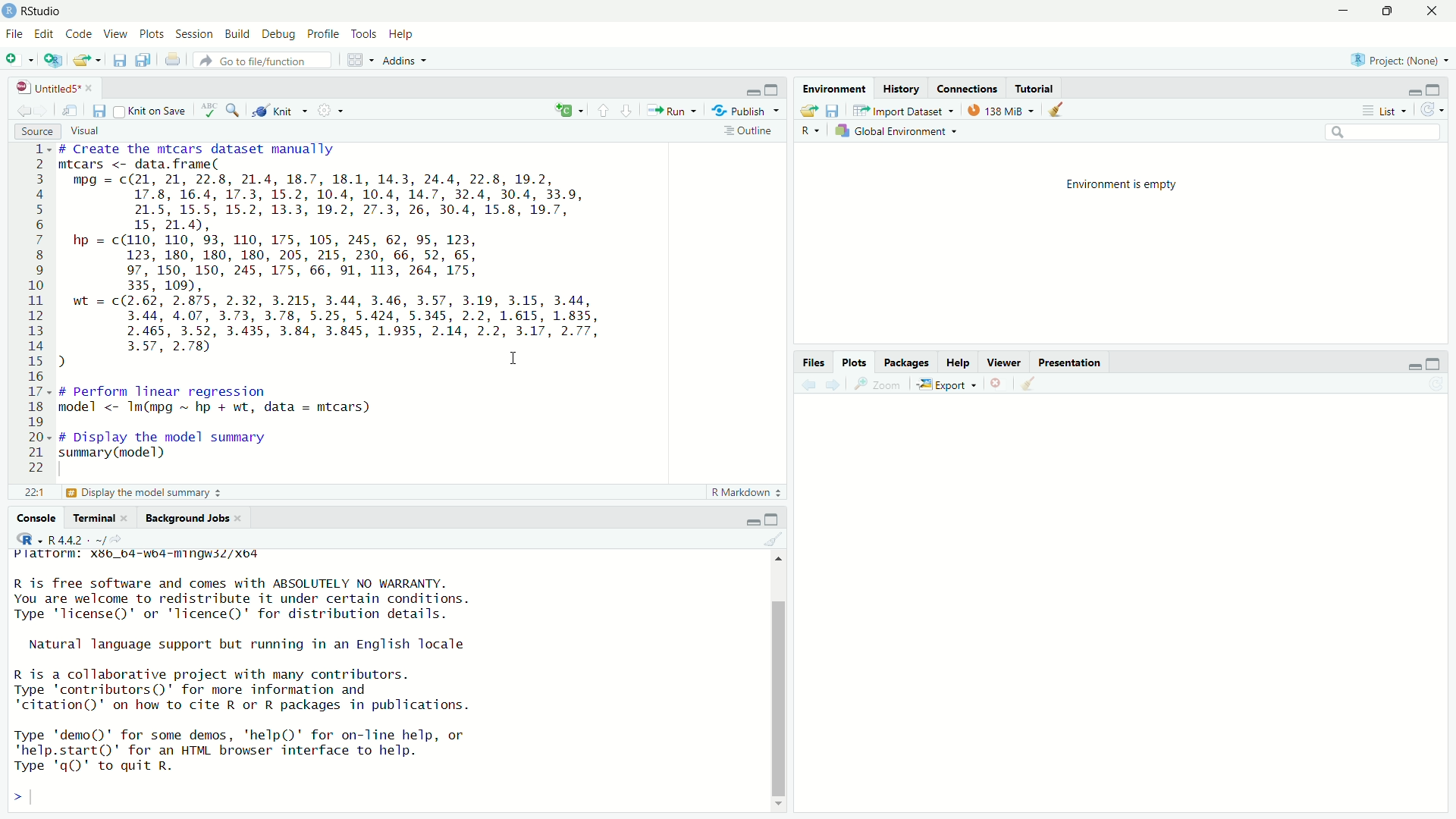 This screenshot has height=819, width=1456. What do you see at coordinates (1034, 90) in the screenshot?
I see `Tutorial` at bounding box center [1034, 90].